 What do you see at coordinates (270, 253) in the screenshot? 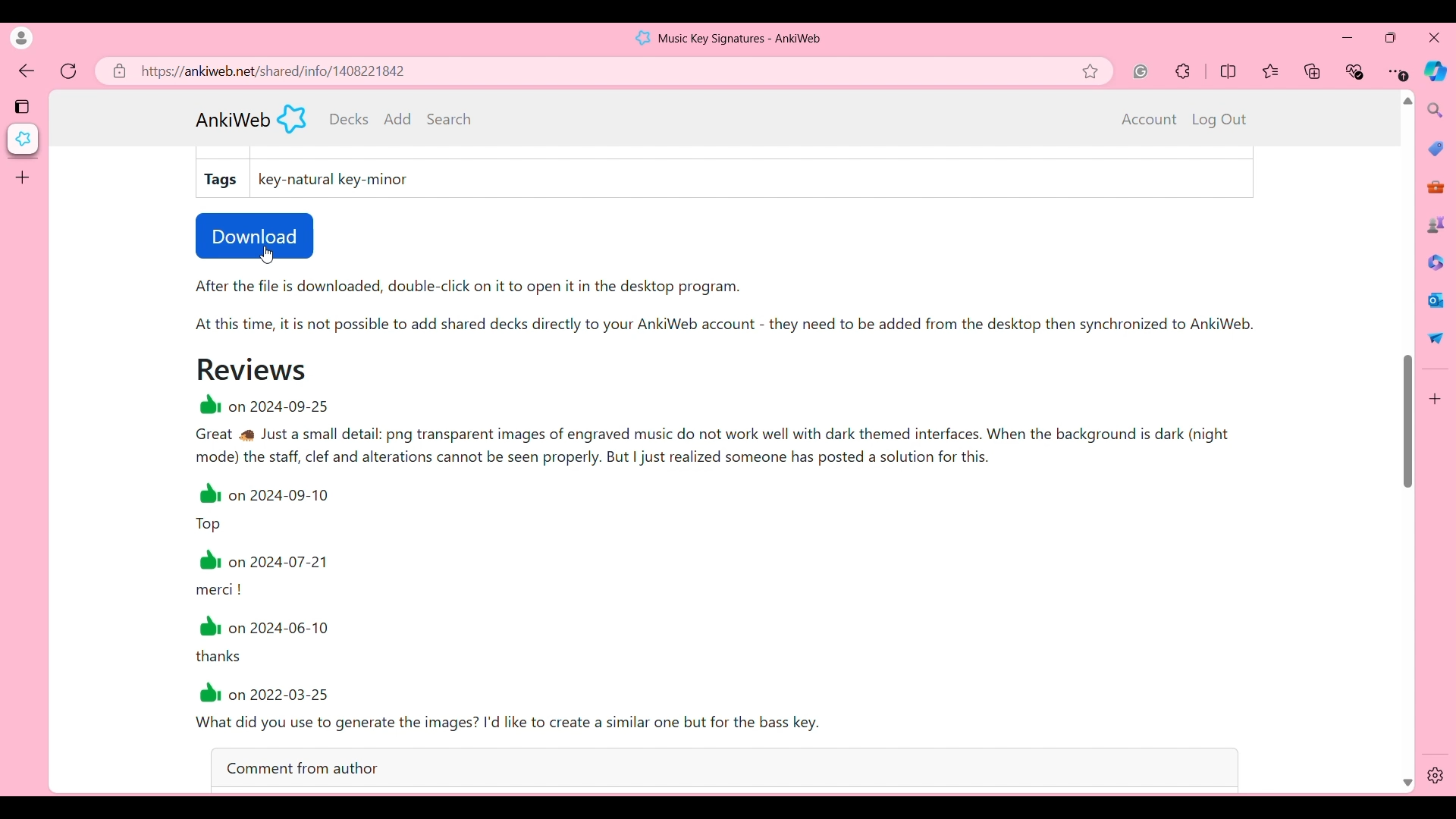
I see `Cursor` at bounding box center [270, 253].